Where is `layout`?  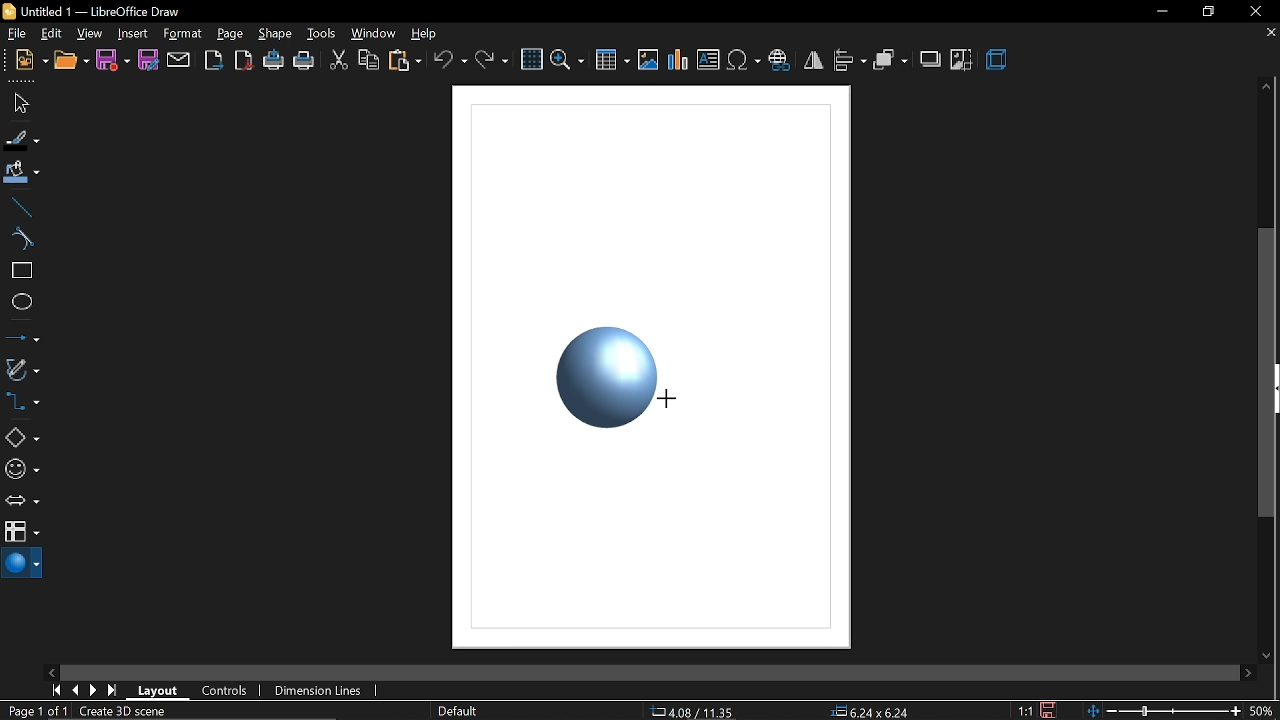
layout is located at coordinates (162, 691).